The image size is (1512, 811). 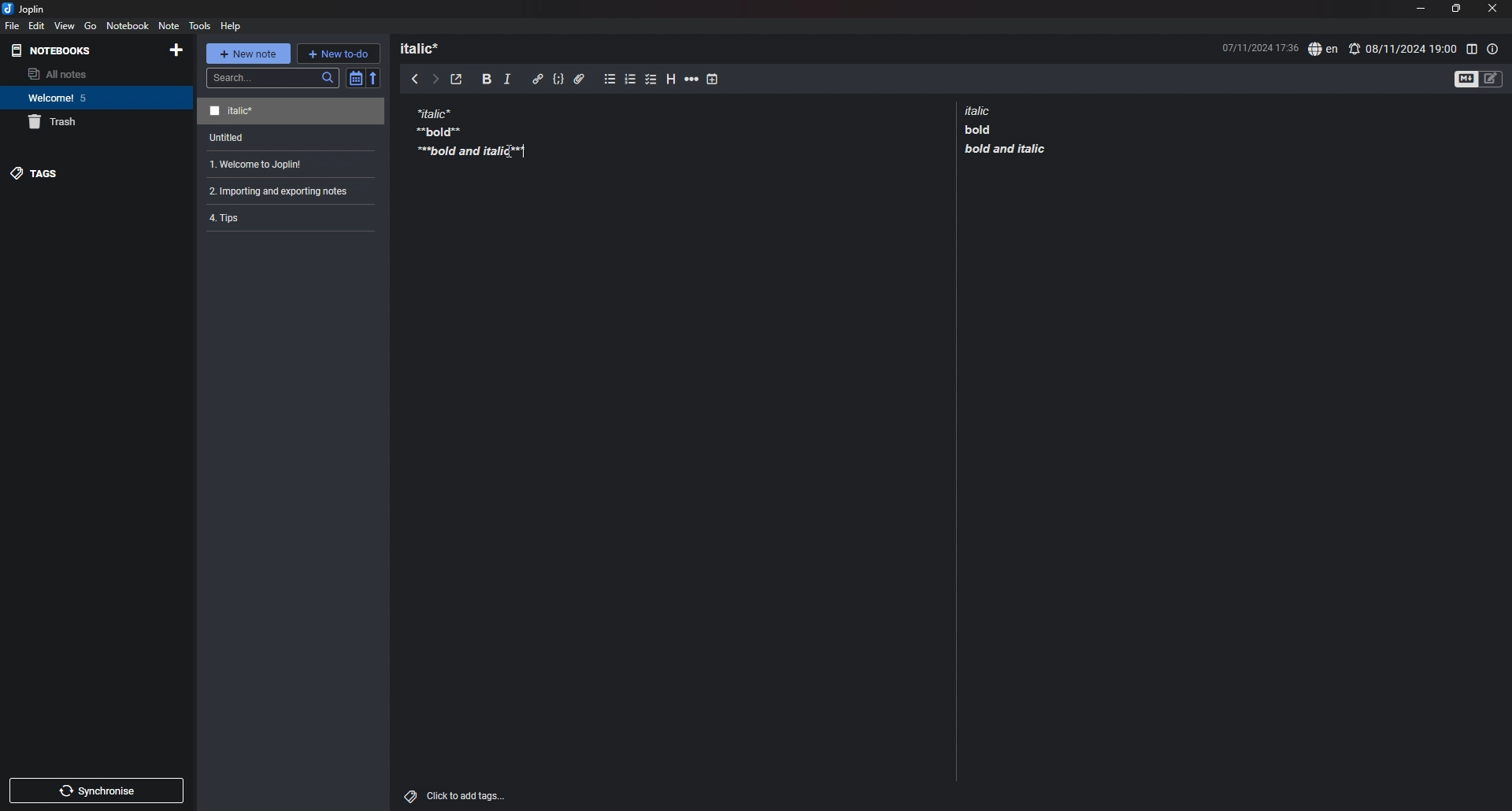 I want to click on new todo, so click(x=338, y=53).